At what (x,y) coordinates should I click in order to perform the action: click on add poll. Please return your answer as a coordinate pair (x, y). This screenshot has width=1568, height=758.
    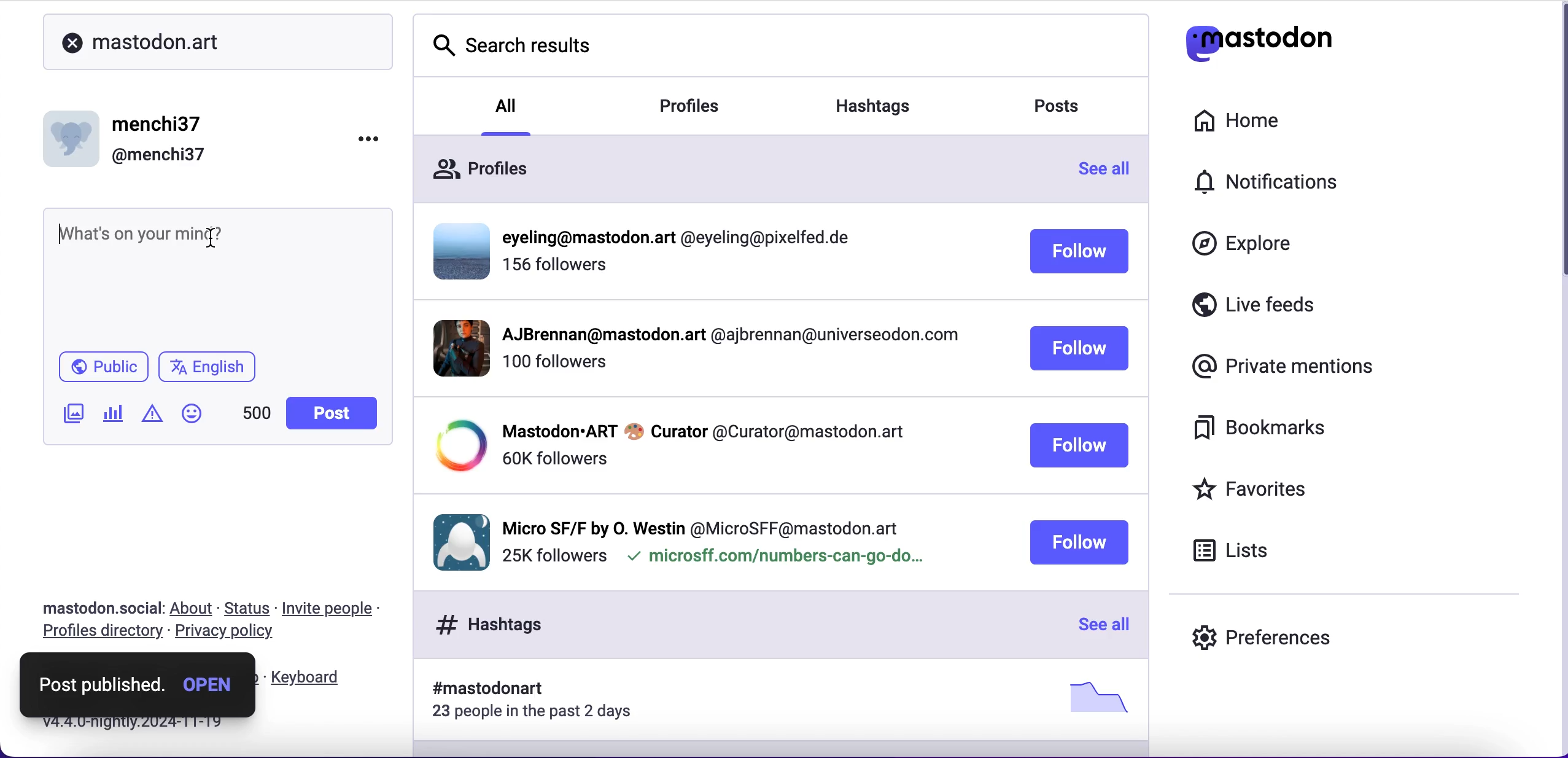
    Looking at the image, I should click on (114, 415).